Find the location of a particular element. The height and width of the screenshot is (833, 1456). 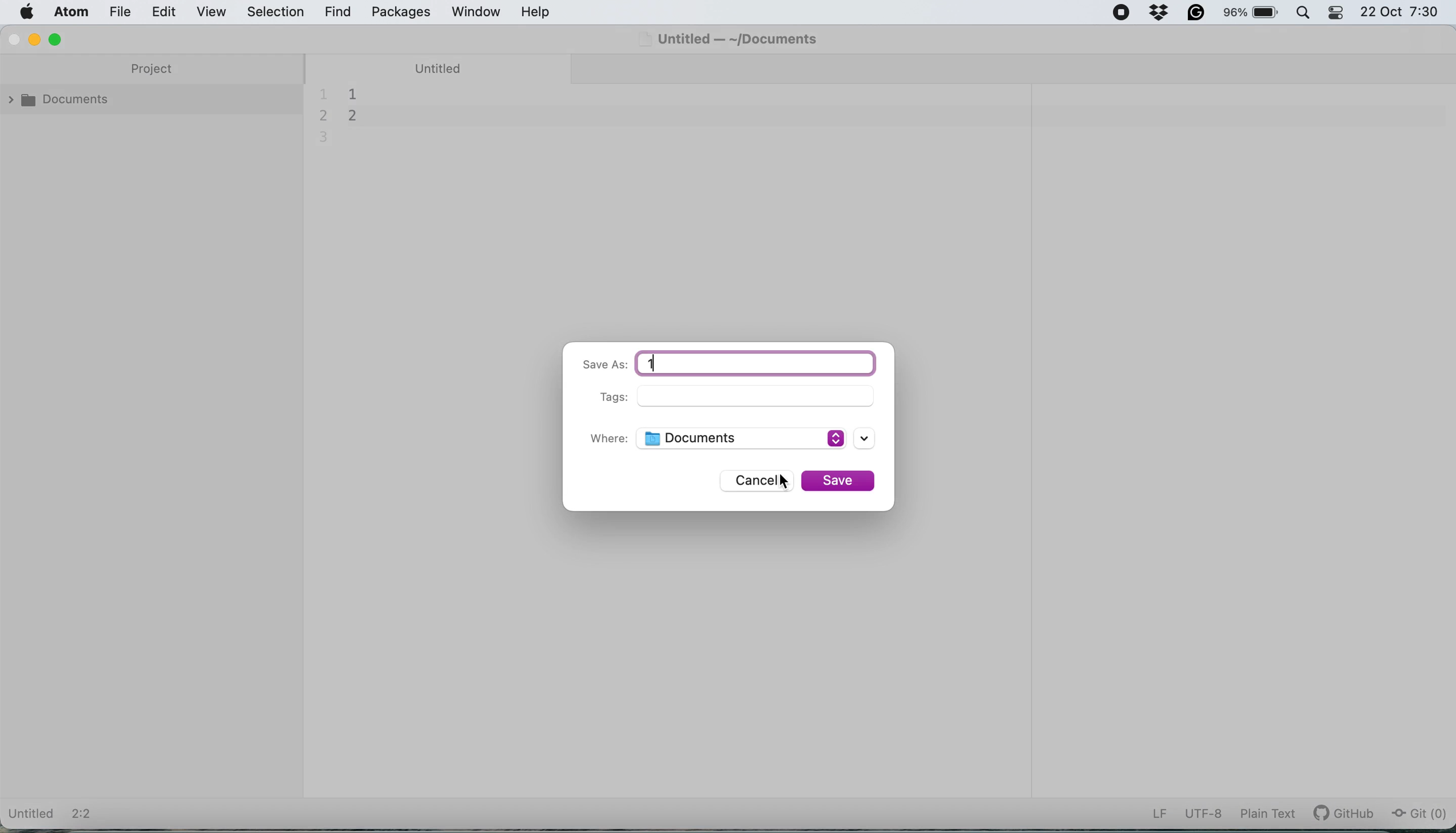

Tags: is located at coordinates (604, 398).